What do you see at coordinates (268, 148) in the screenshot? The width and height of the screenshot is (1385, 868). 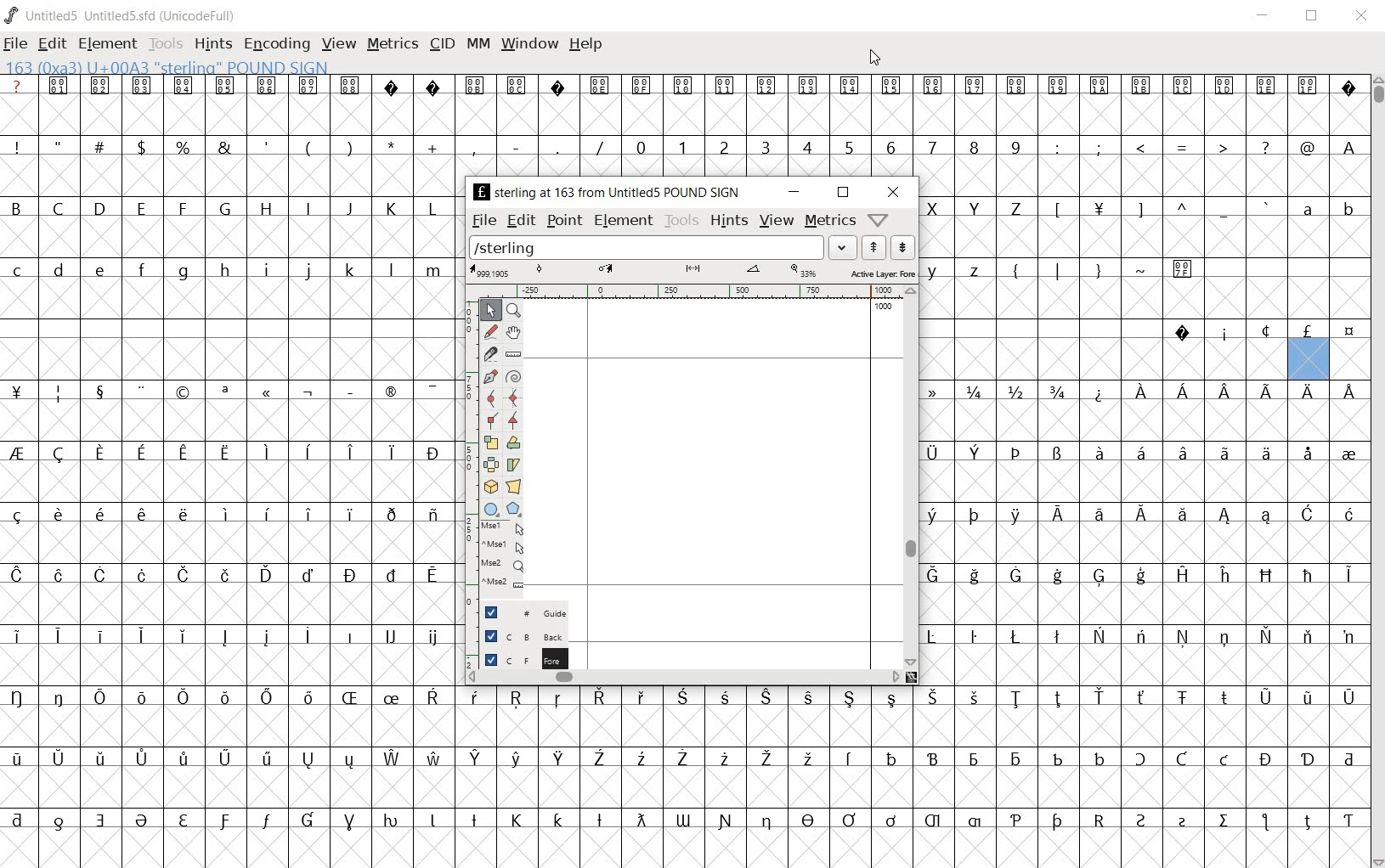 I see `'` at bounding box center [268, 148].